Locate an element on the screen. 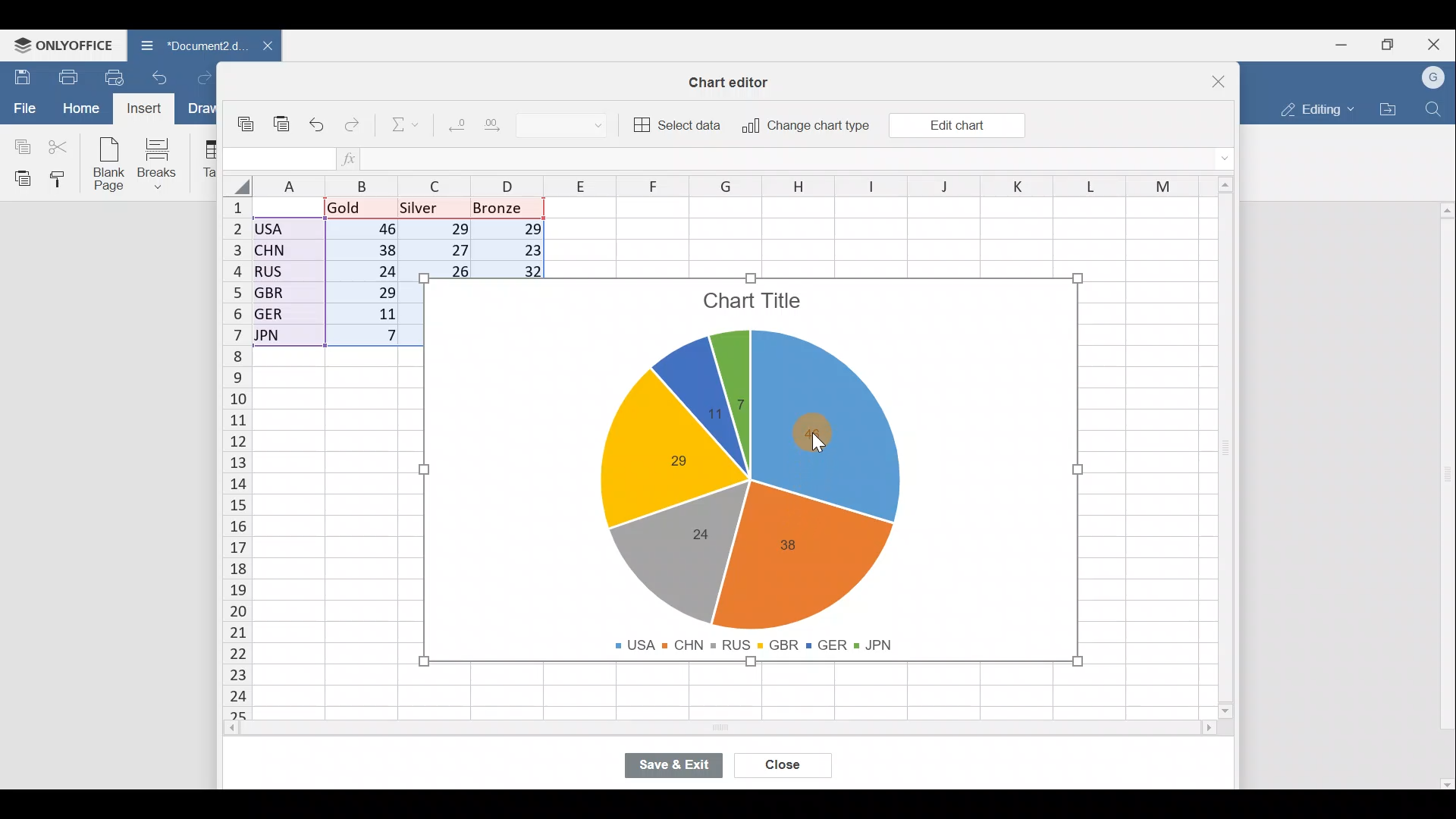 This screenshot has height=819, width=1456. Print file is located at coordinates (67, 76).